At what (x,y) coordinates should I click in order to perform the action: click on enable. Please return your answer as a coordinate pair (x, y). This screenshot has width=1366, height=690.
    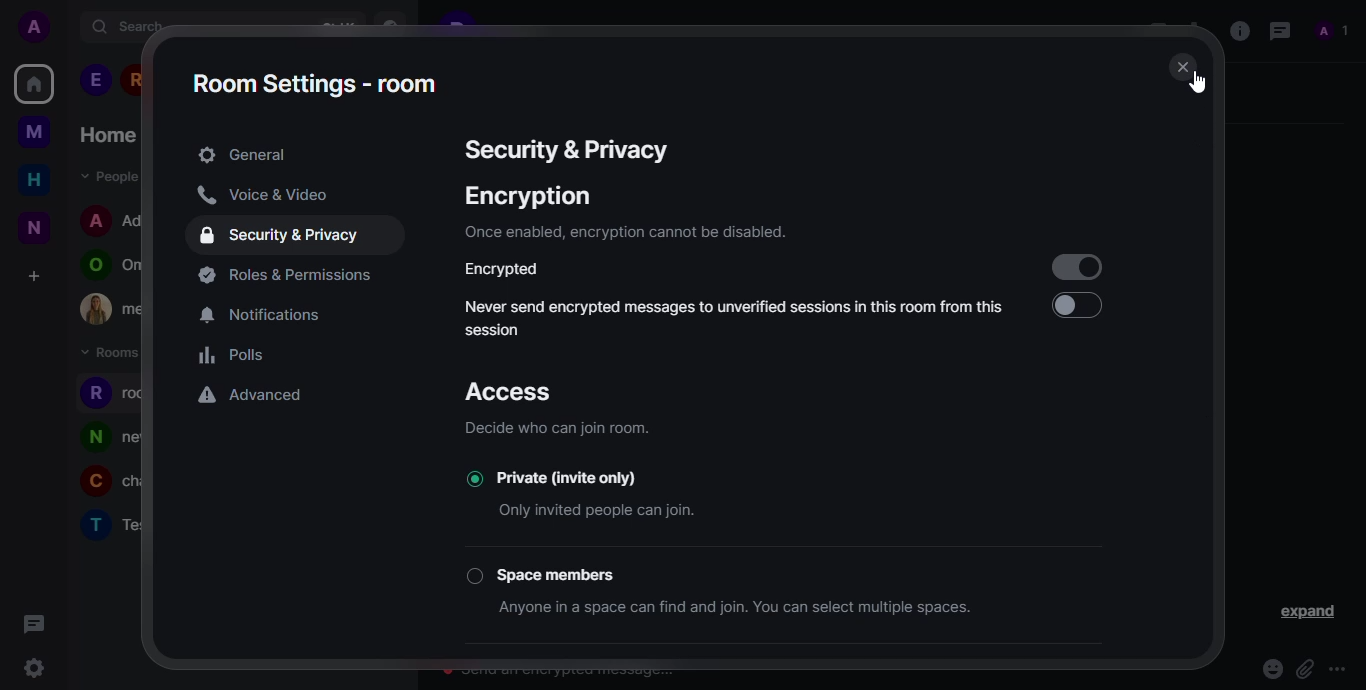
    Looking at the image, I should click on (1075, 306).